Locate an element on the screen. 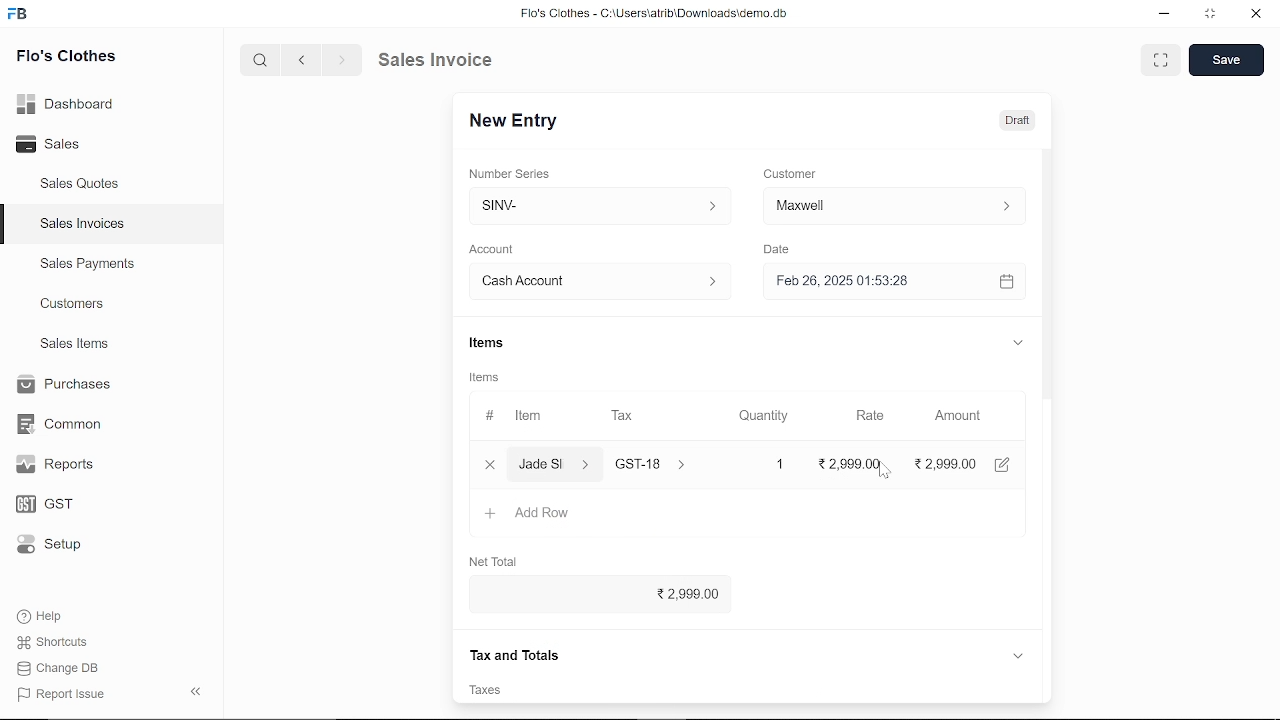 The width and height of the screenshot is (1280, 720). restore down is located at coordinates (1212, 15).